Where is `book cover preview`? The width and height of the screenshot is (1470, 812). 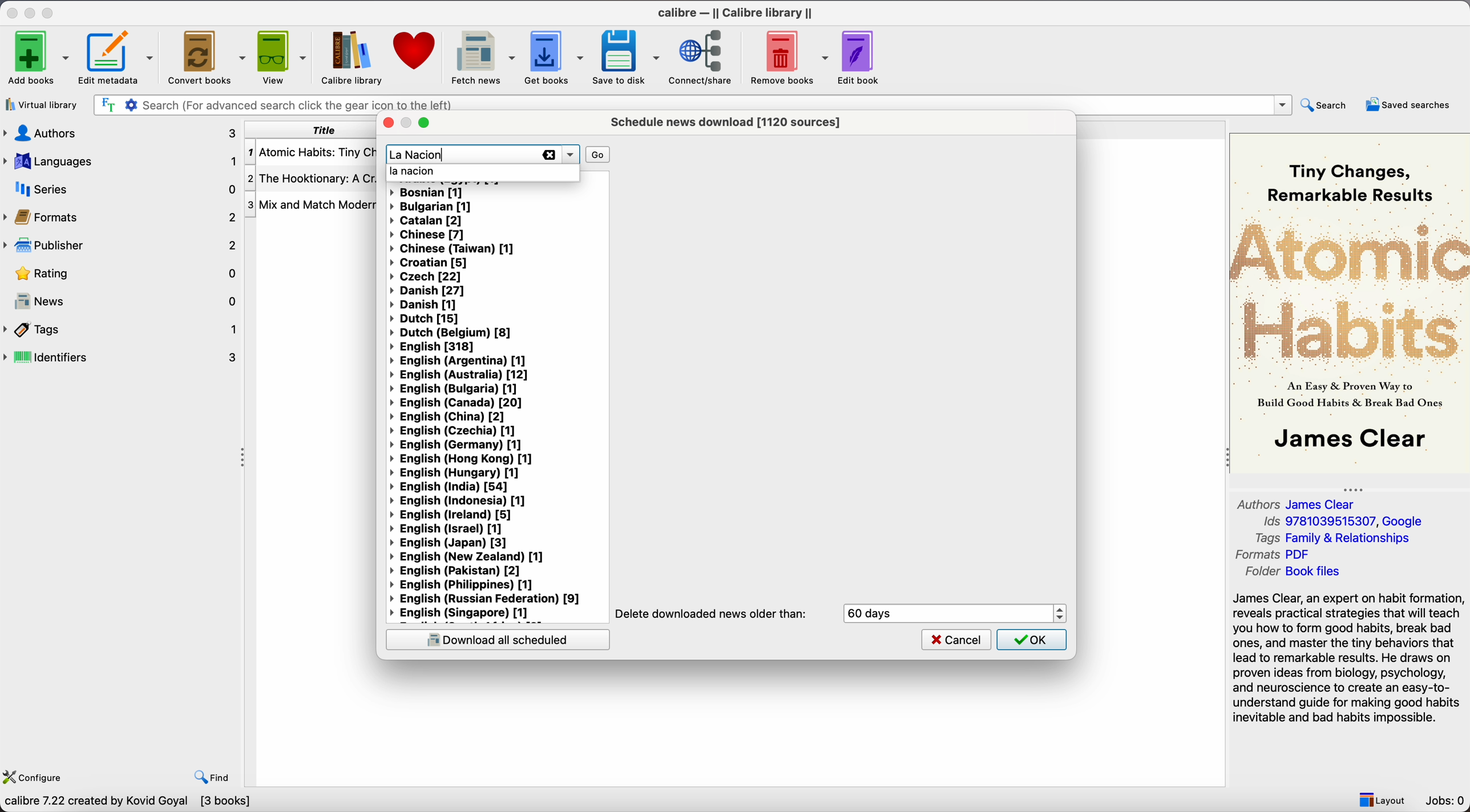 book cover preview is located at coordinates (1348, 302).